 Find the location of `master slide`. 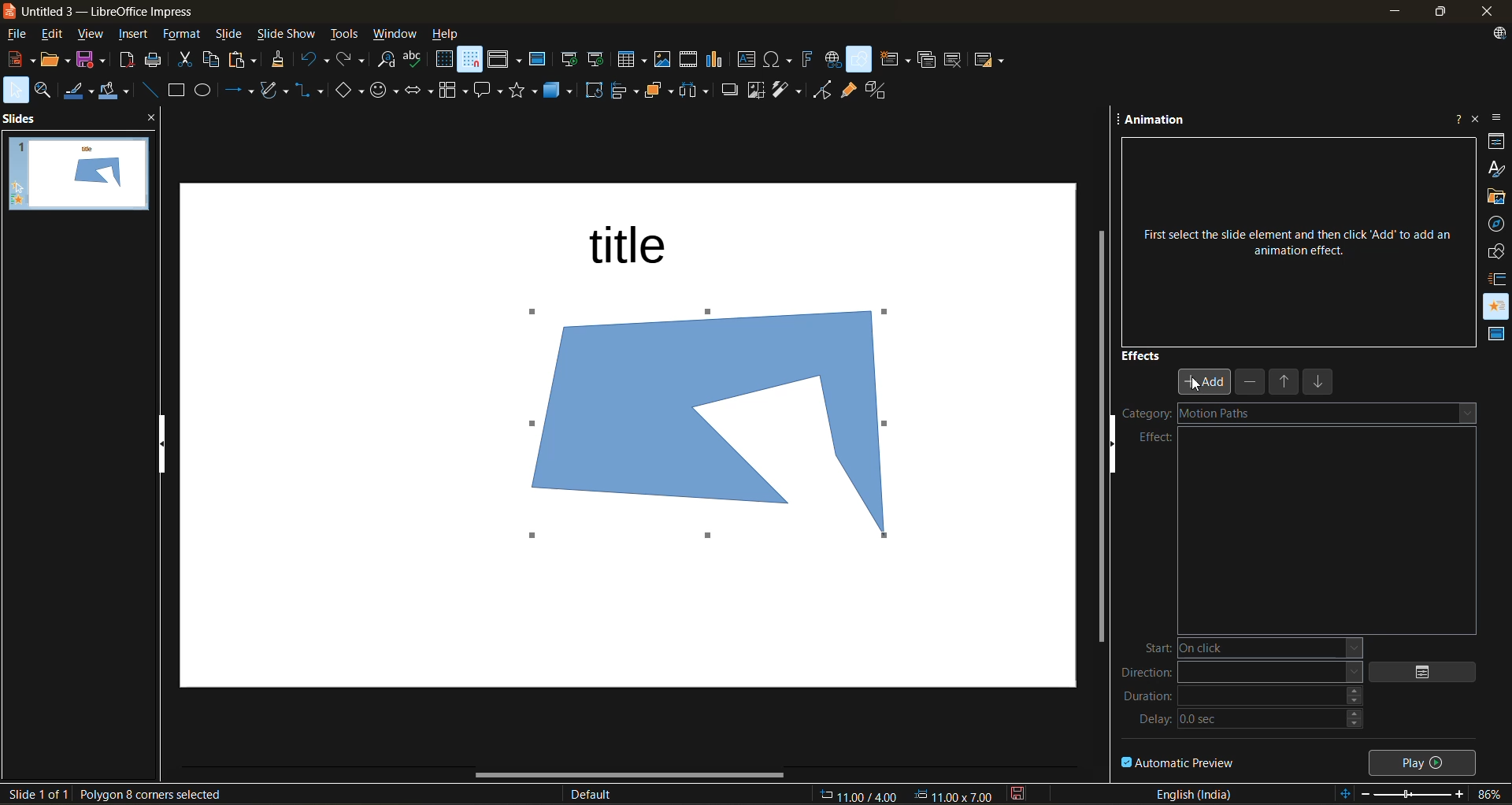

master slide is located at coordinates (537, 58).